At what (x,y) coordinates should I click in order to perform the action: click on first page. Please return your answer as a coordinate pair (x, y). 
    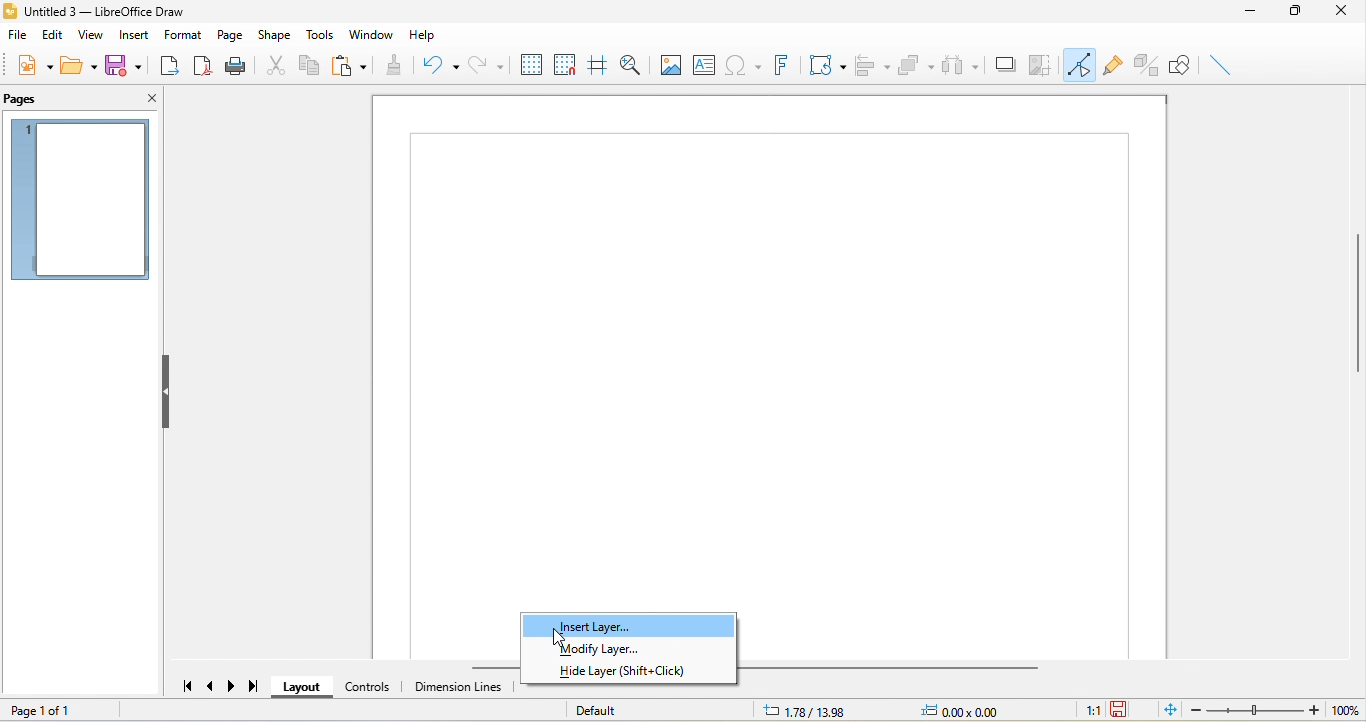
    Looking at the image, I should click on (183, 686).